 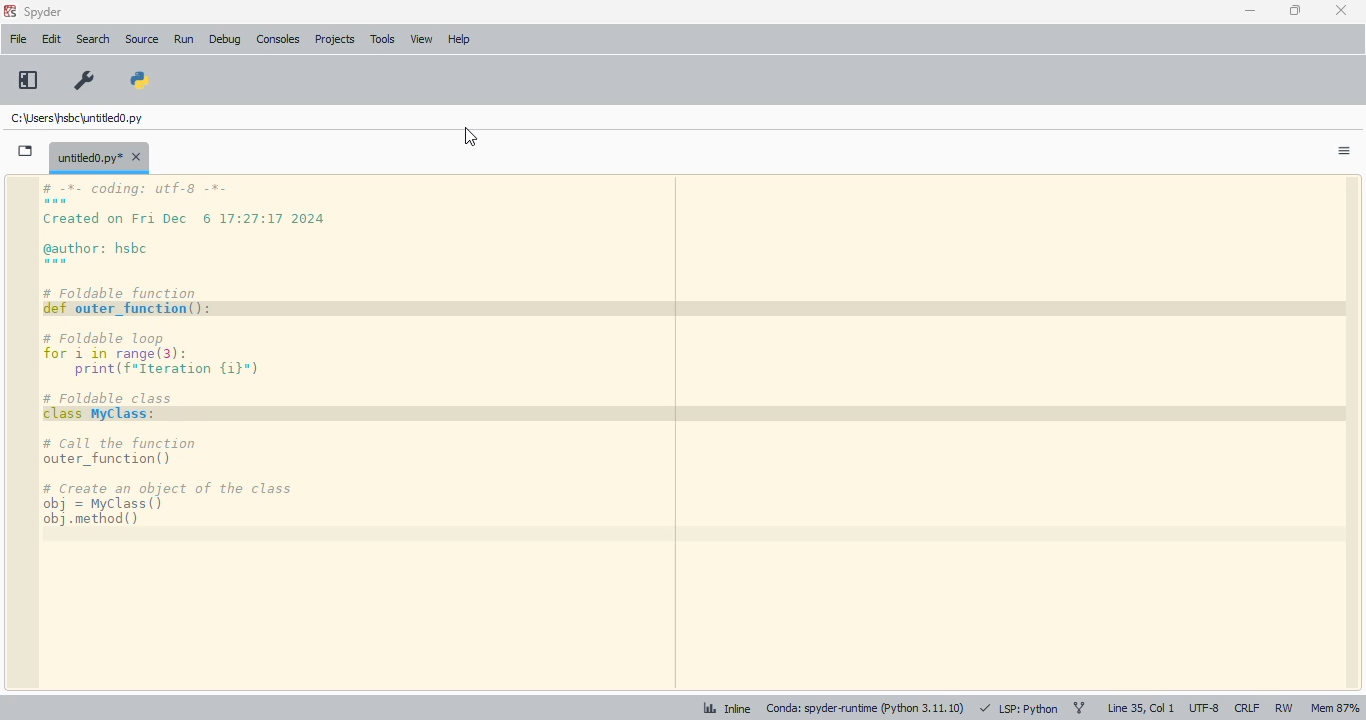 I want to click on run, so click(x=184, y=39).